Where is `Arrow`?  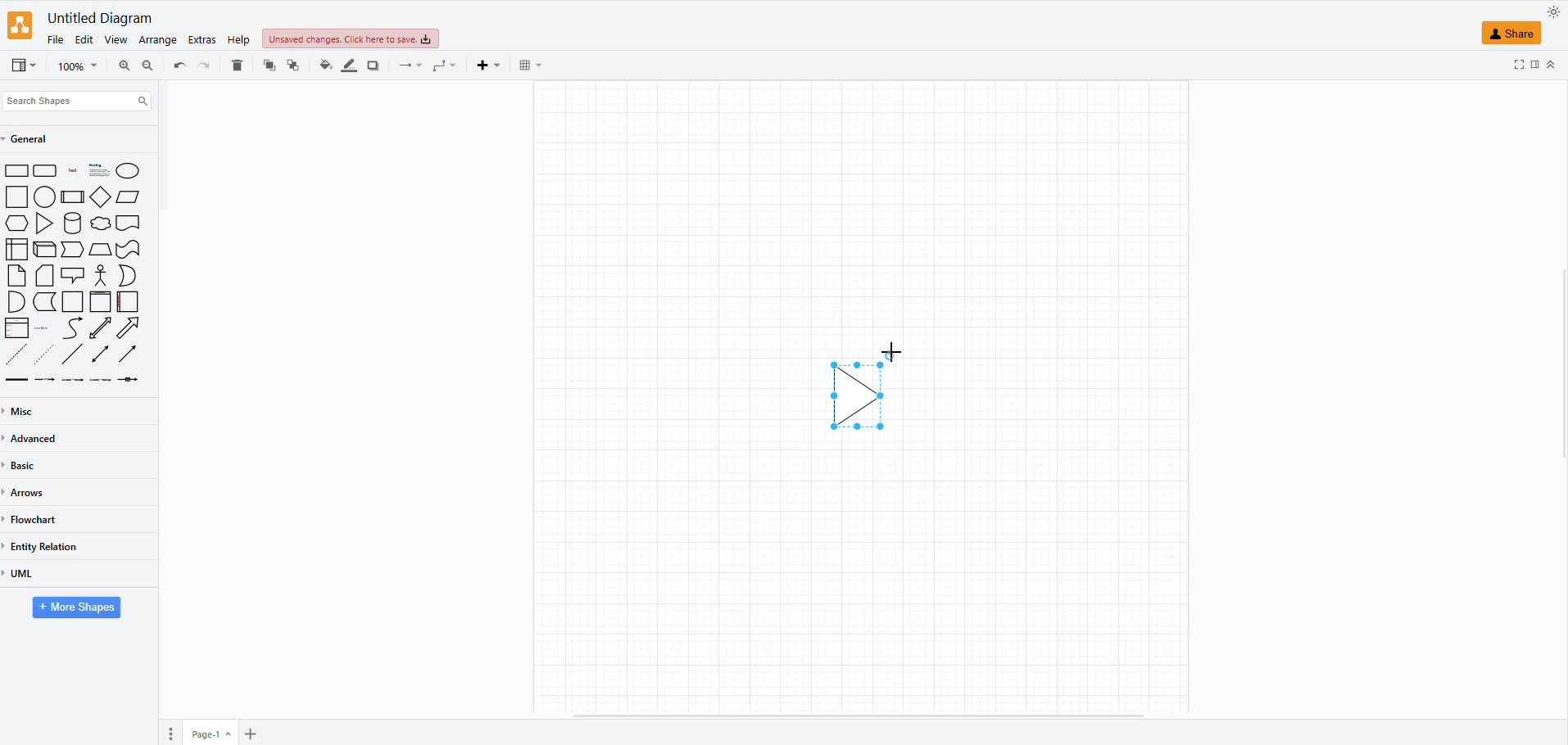
Arrow is located at coordinates (128, 353).